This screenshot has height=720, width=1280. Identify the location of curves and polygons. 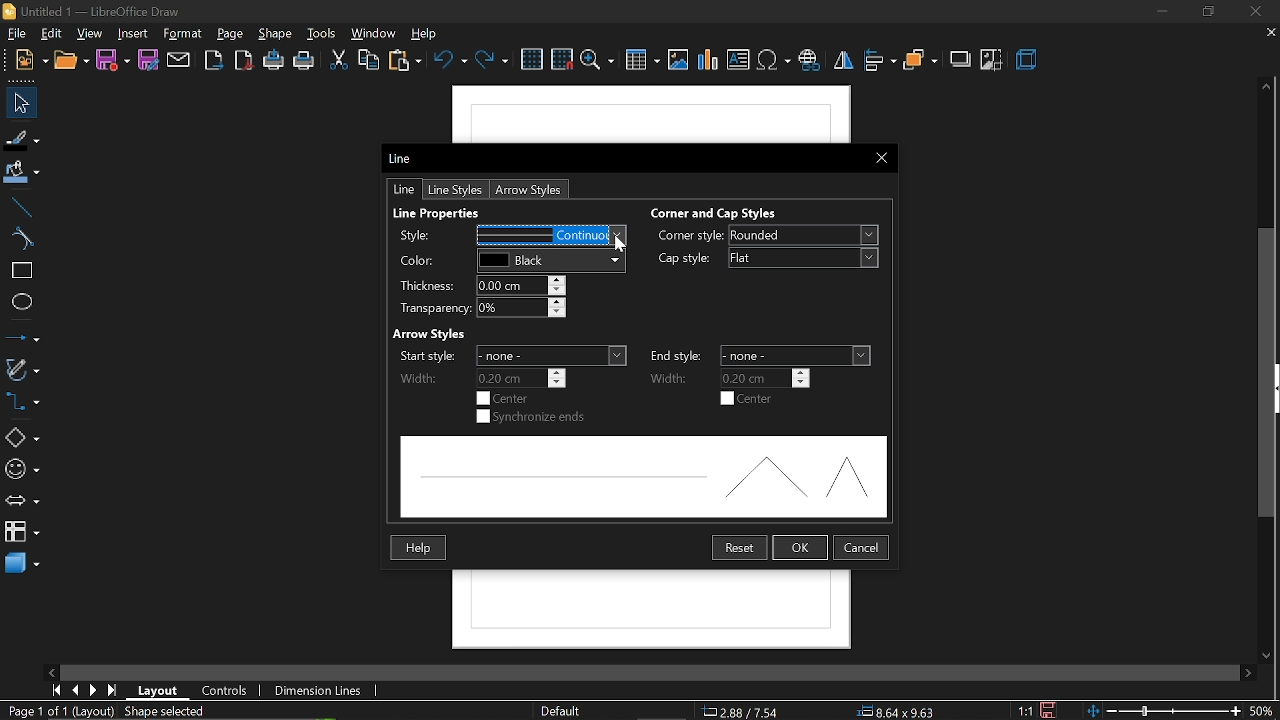
(24, 369).